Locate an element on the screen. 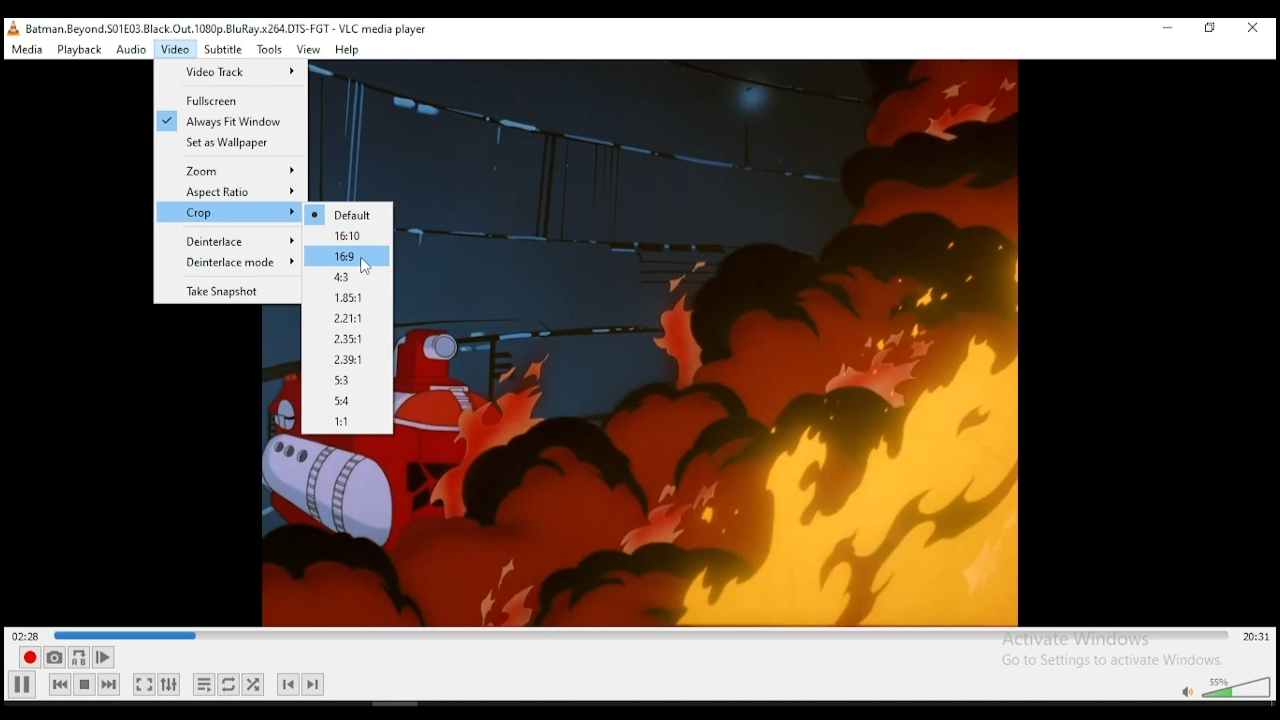 Image resolution: width=1280 pixels, height=720 pixels. next chapter is located at coordinates (313, 683).